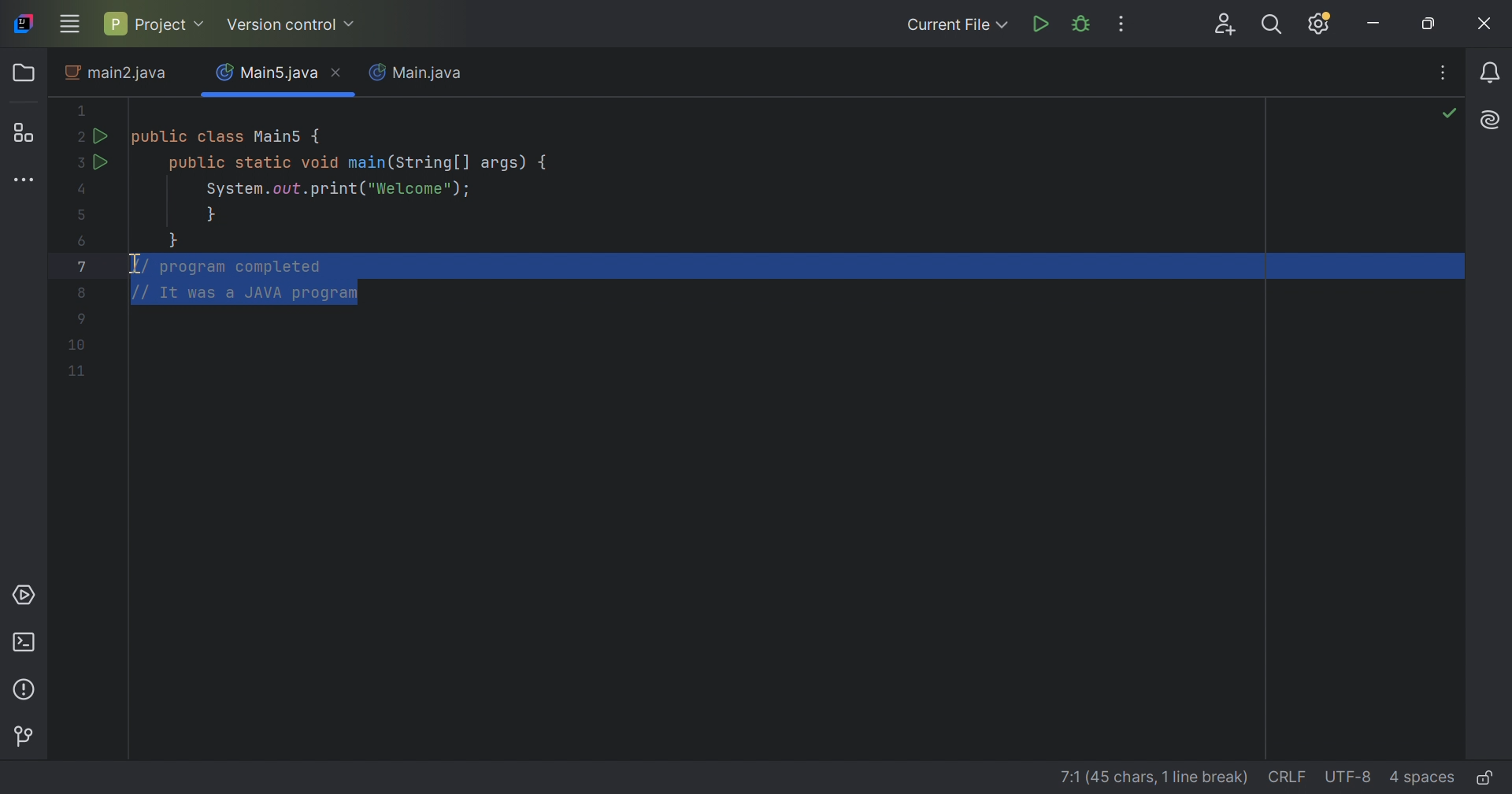  I want to click on comments selected, so click(230, 280).